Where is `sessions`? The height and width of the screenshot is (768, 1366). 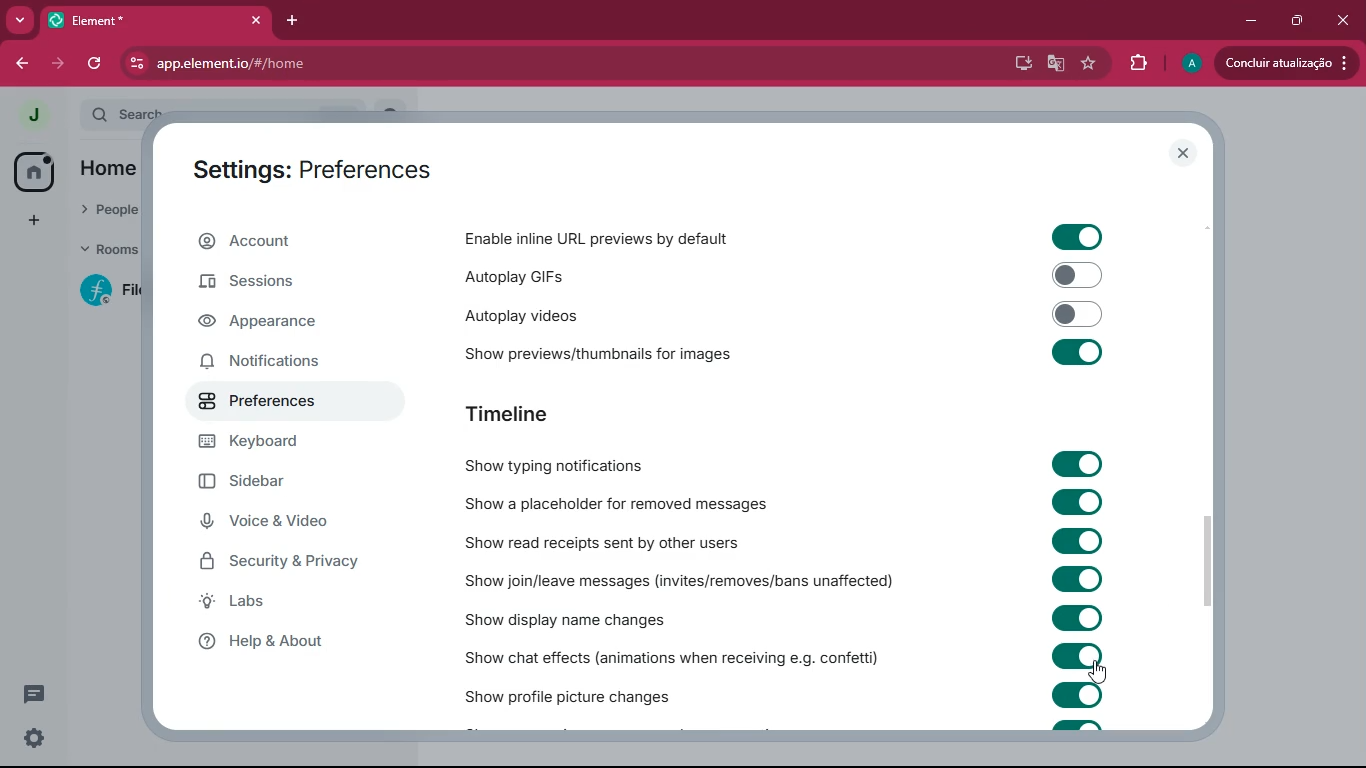
sessions is located at coordinates (273, 287).